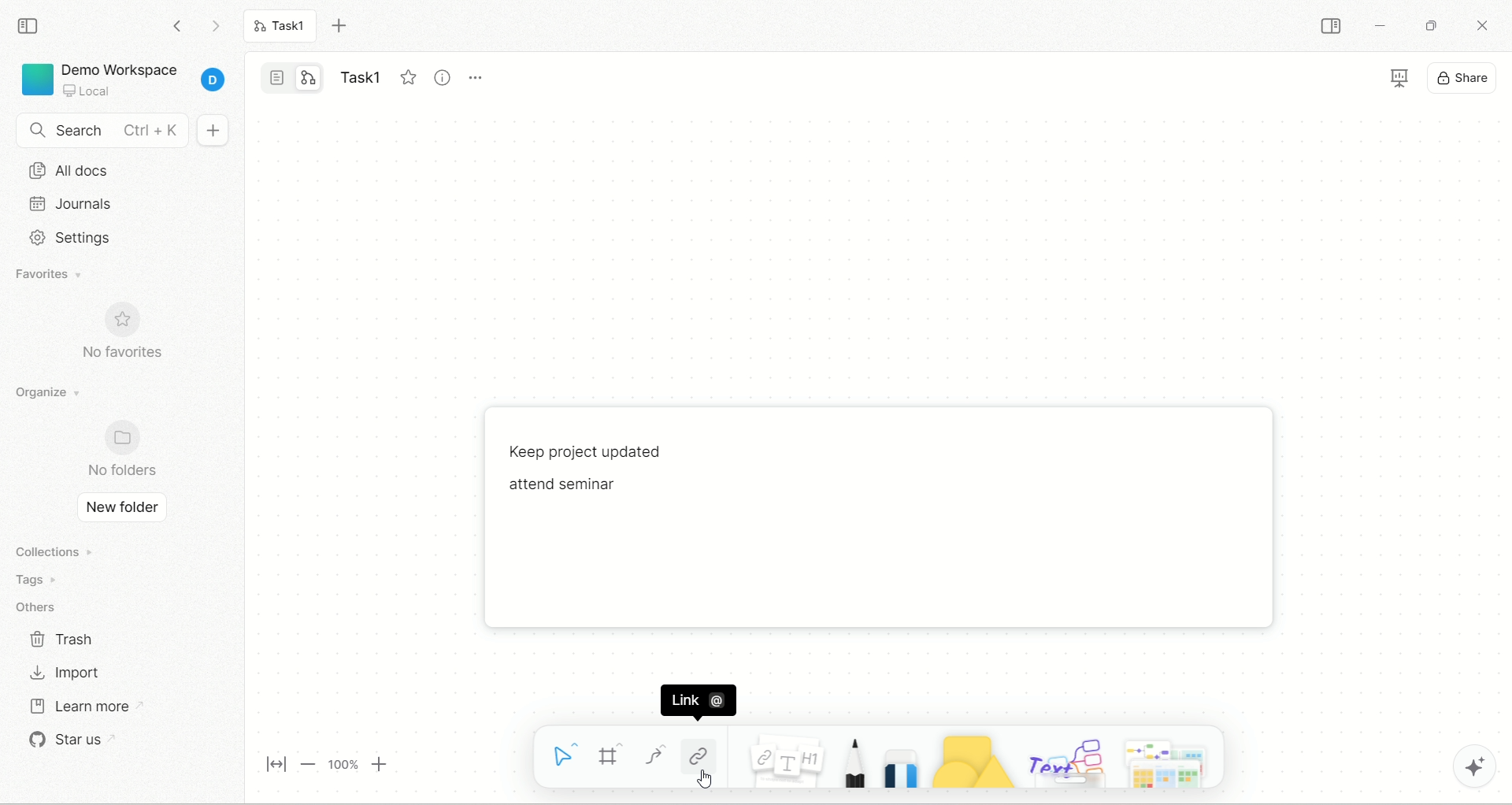 This screenshot has width=1512, height=805. Describe the element at coordinates (322, 764) in the screenshot. I see `page zoom` at that location.